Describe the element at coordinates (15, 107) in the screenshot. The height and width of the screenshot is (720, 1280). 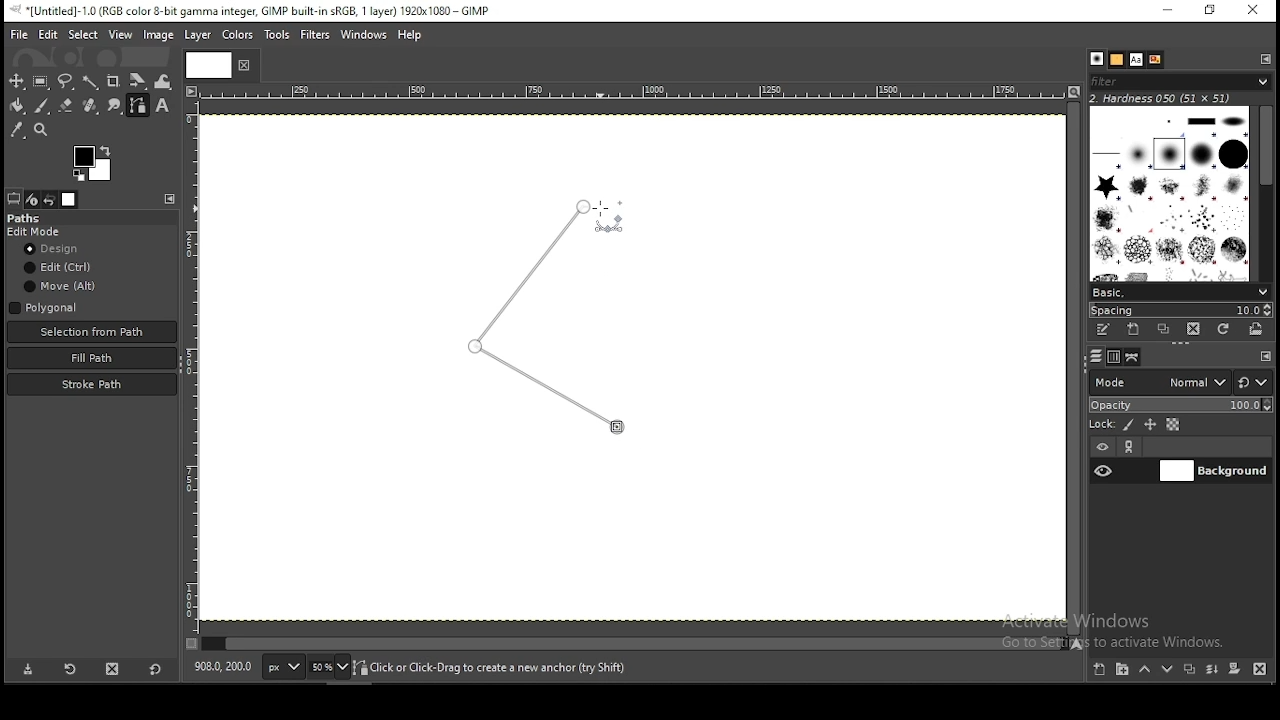
I see `paintbucket tool` at that location.